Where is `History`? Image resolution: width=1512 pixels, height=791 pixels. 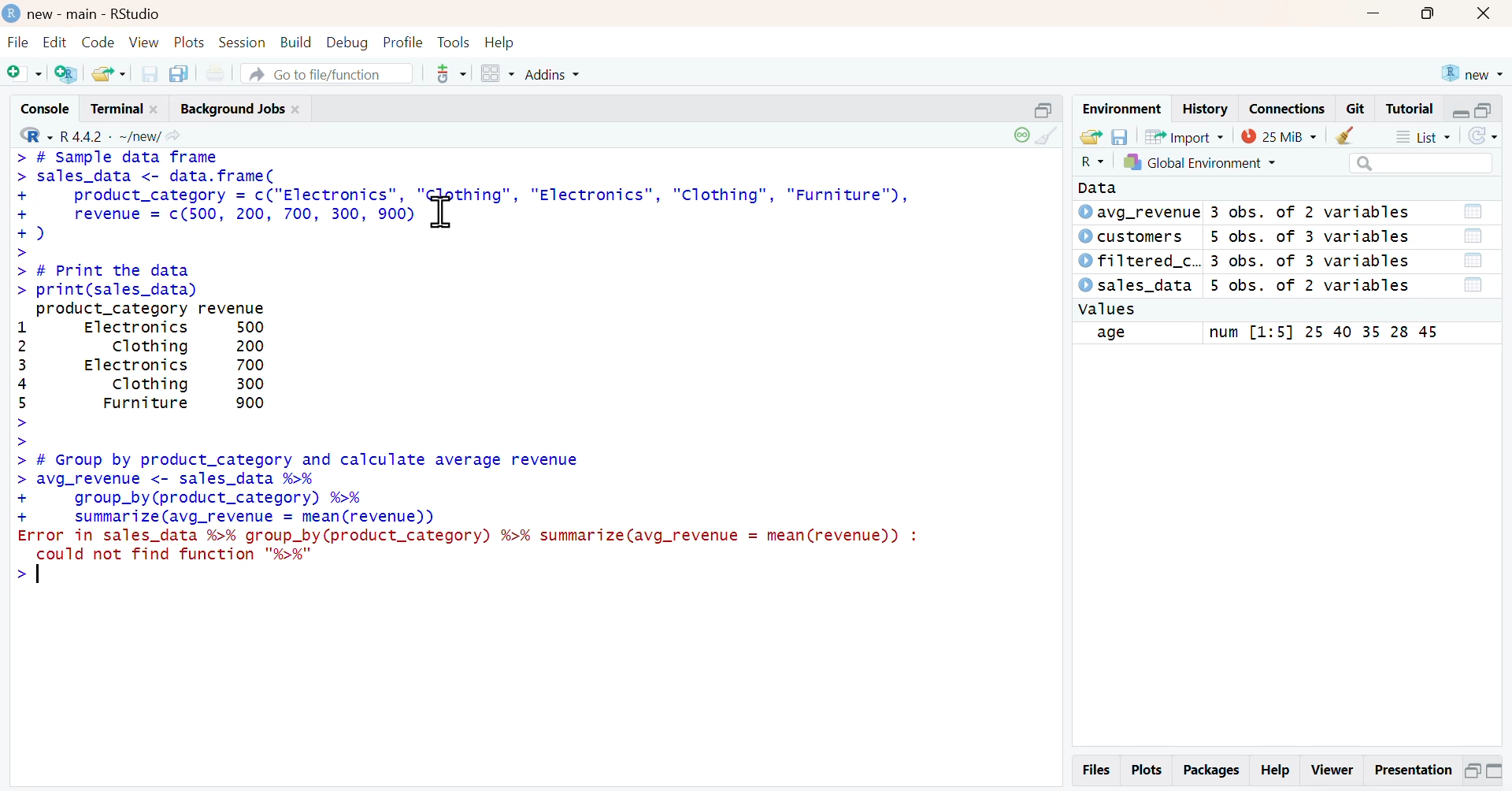
History is located at coordinates (1206, 109).